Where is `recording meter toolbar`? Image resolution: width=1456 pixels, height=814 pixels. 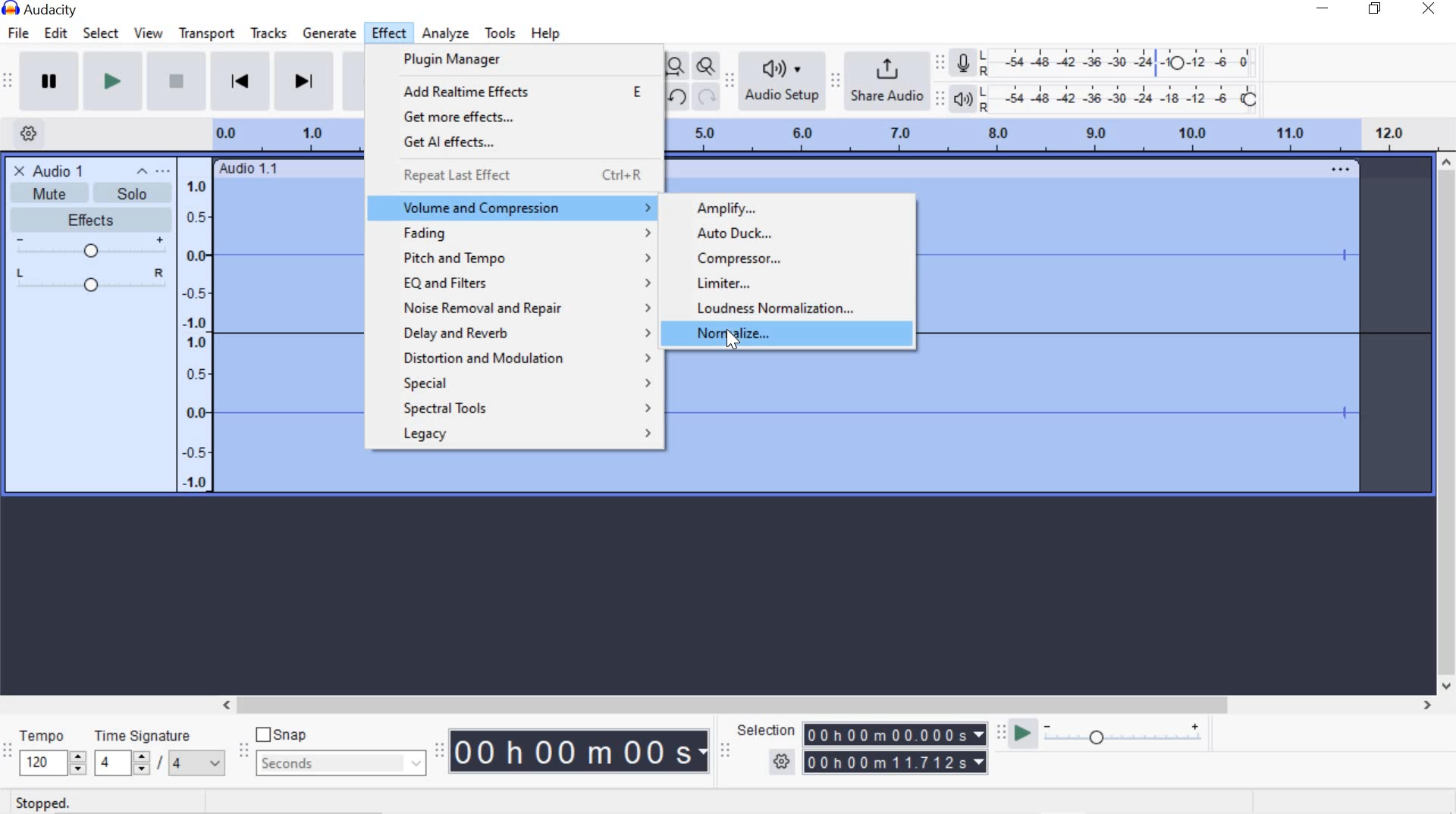
recording meter toolbar is located at coordinates (943, 61).